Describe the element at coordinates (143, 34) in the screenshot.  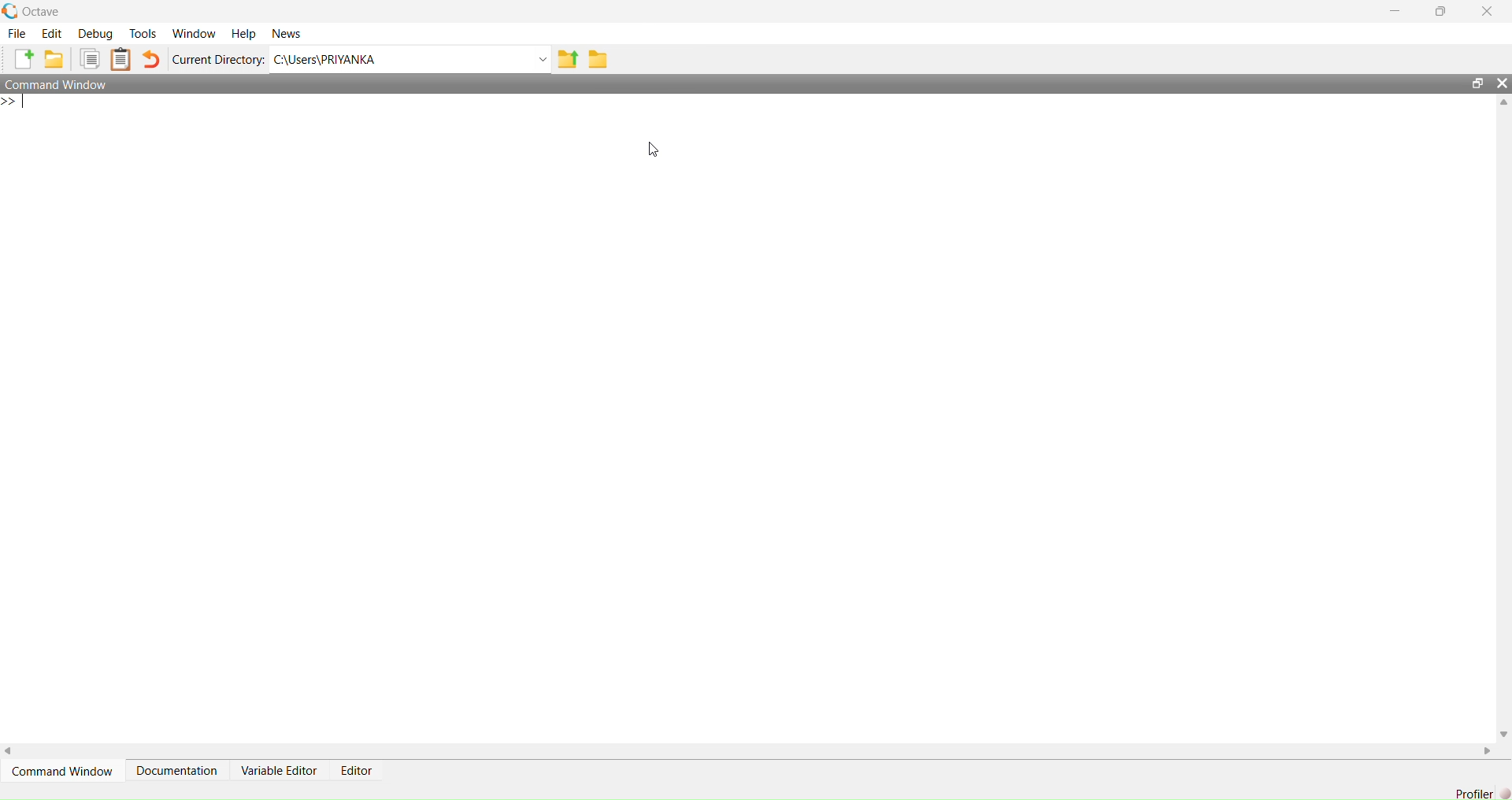
I see `Tools` at that location.